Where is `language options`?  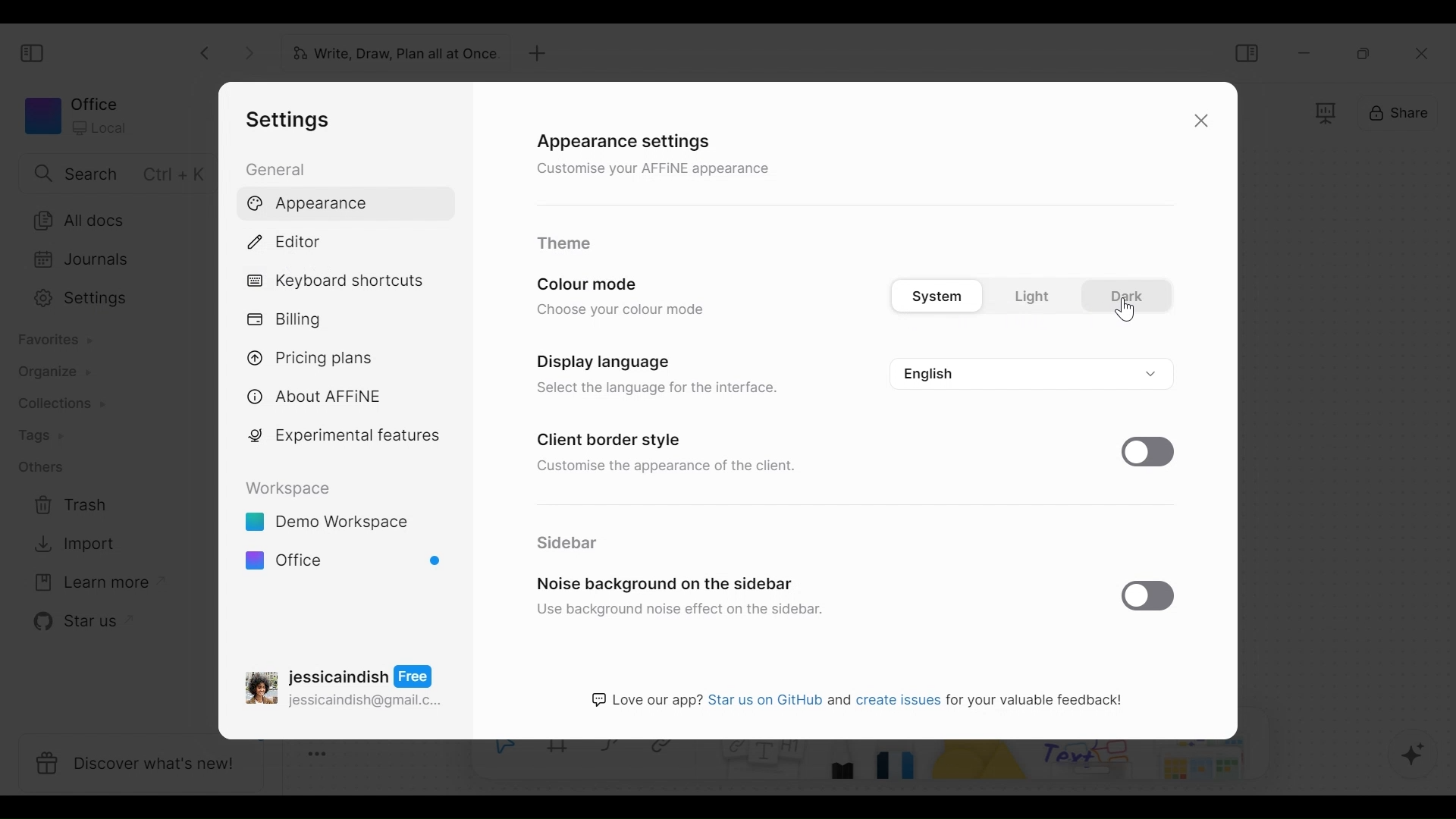
language options is located at coordinates (1034, 374).